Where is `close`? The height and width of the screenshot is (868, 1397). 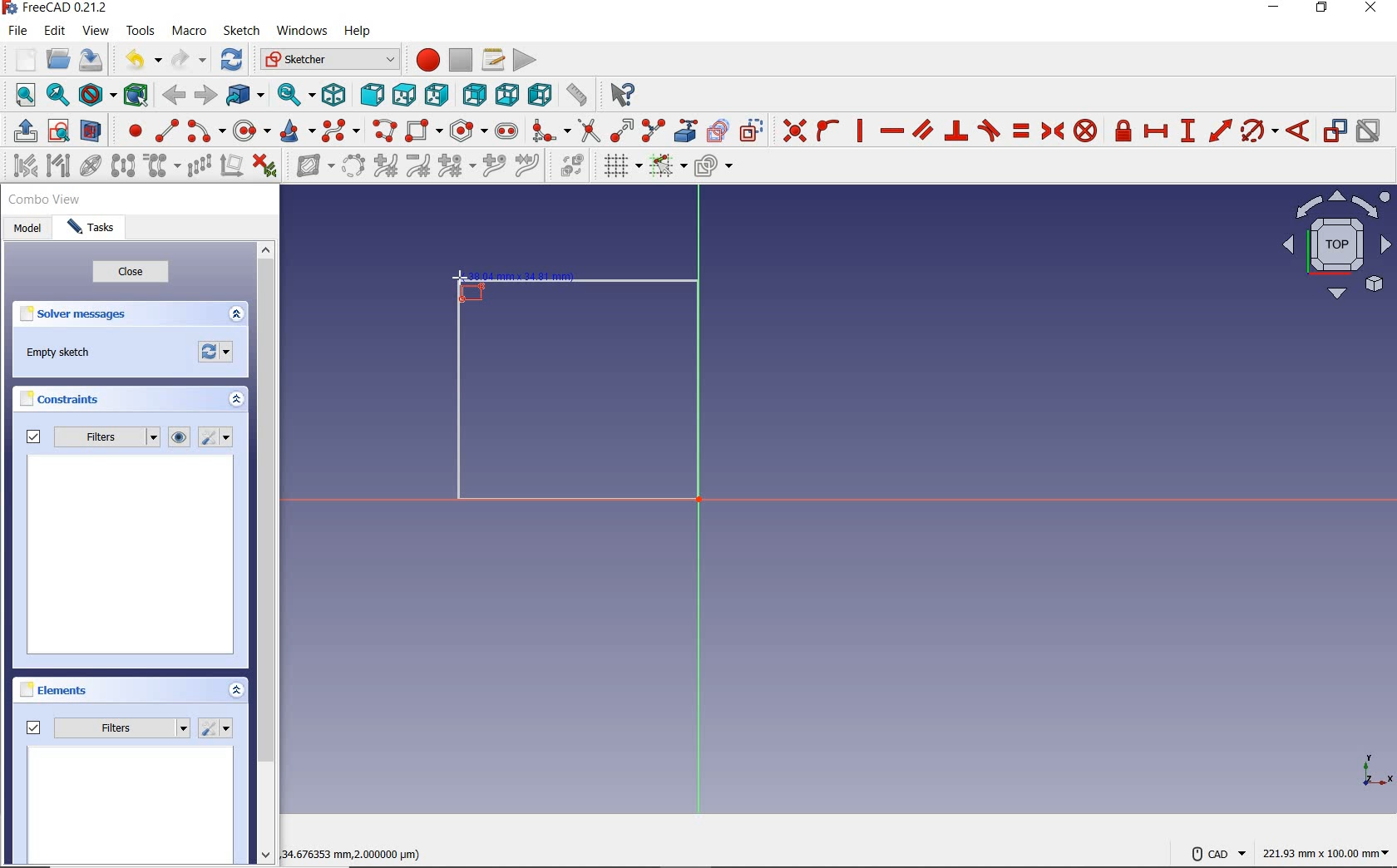
close is located at coordinates (131, 274).